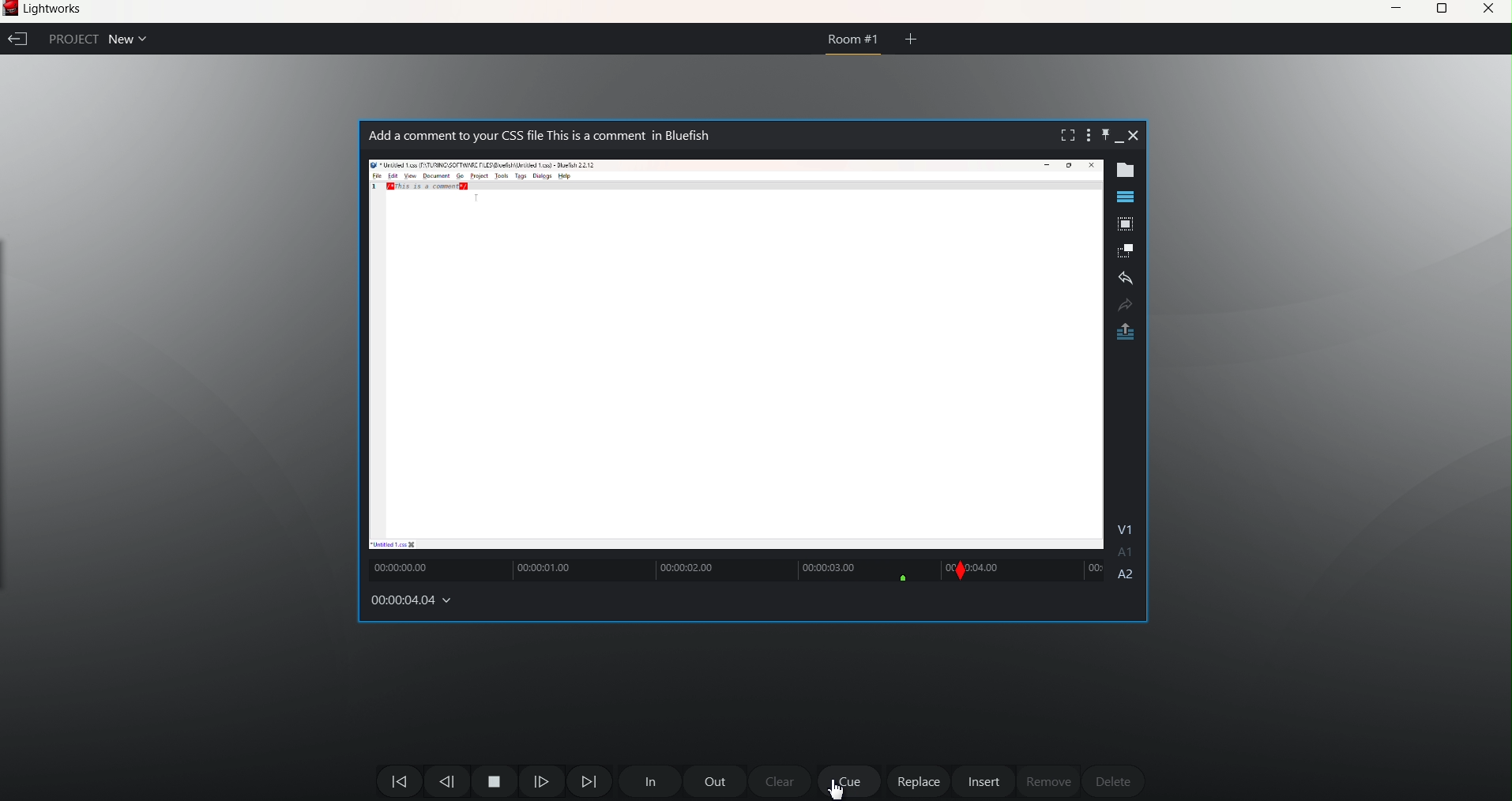 Image resolution: width=1512 pixels, height=801 pixels. What do you see at coordinates (912, 38) in the screenshot?
I see `add room` at bounding box center [912, 38].